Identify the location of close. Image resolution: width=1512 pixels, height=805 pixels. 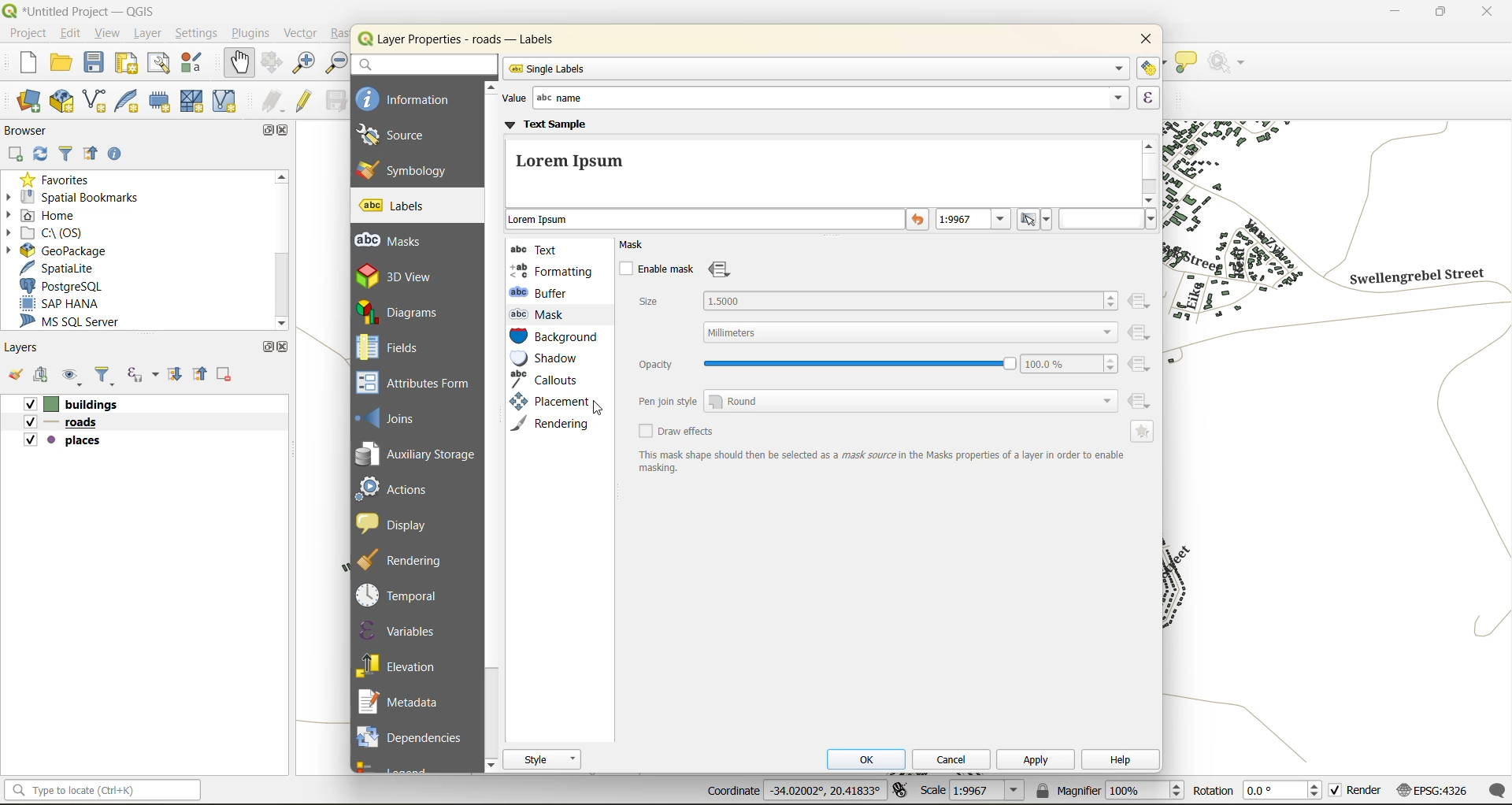
(286, 132).